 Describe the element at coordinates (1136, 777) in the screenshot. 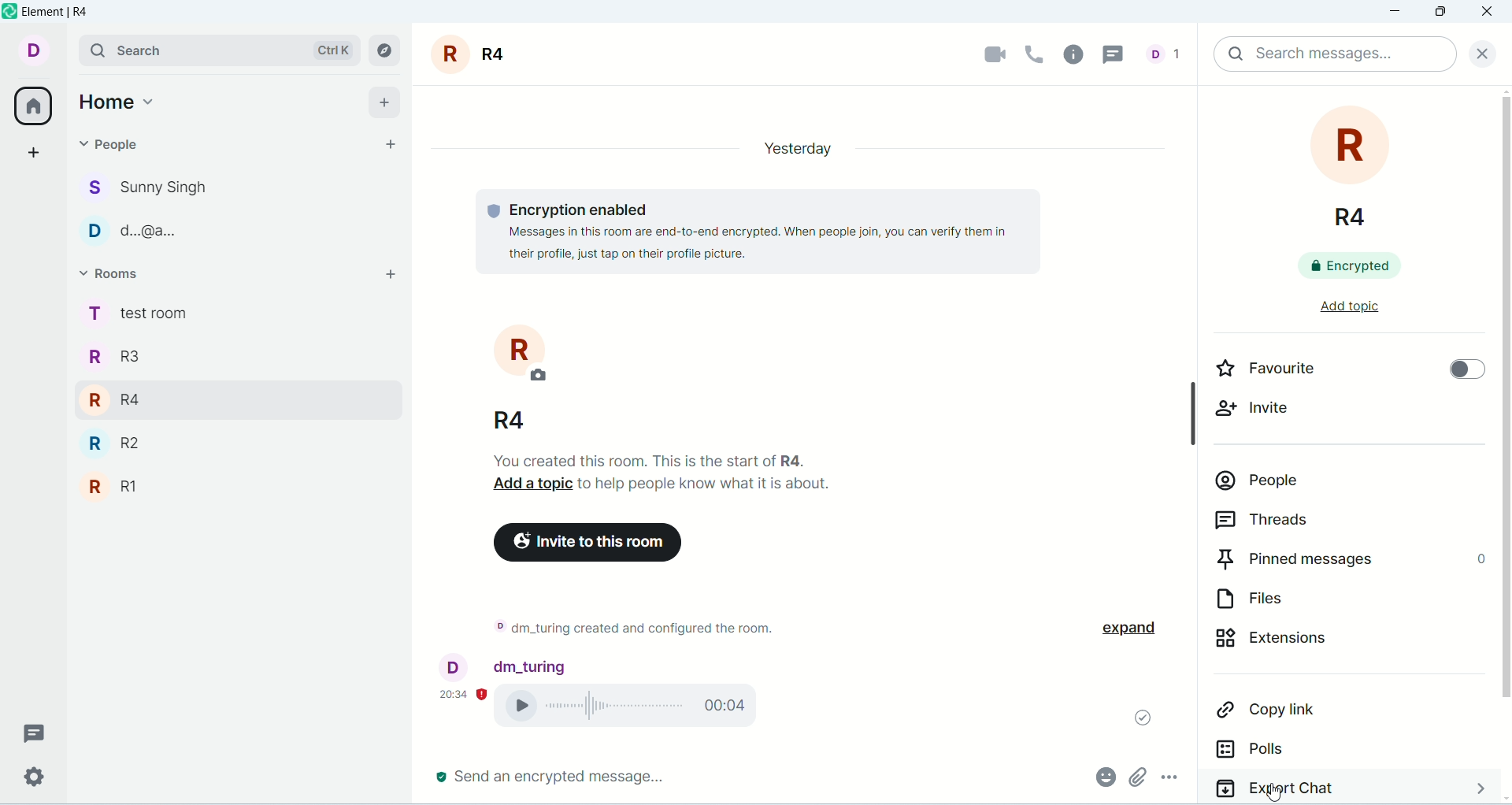

I see `attachment` at that location.